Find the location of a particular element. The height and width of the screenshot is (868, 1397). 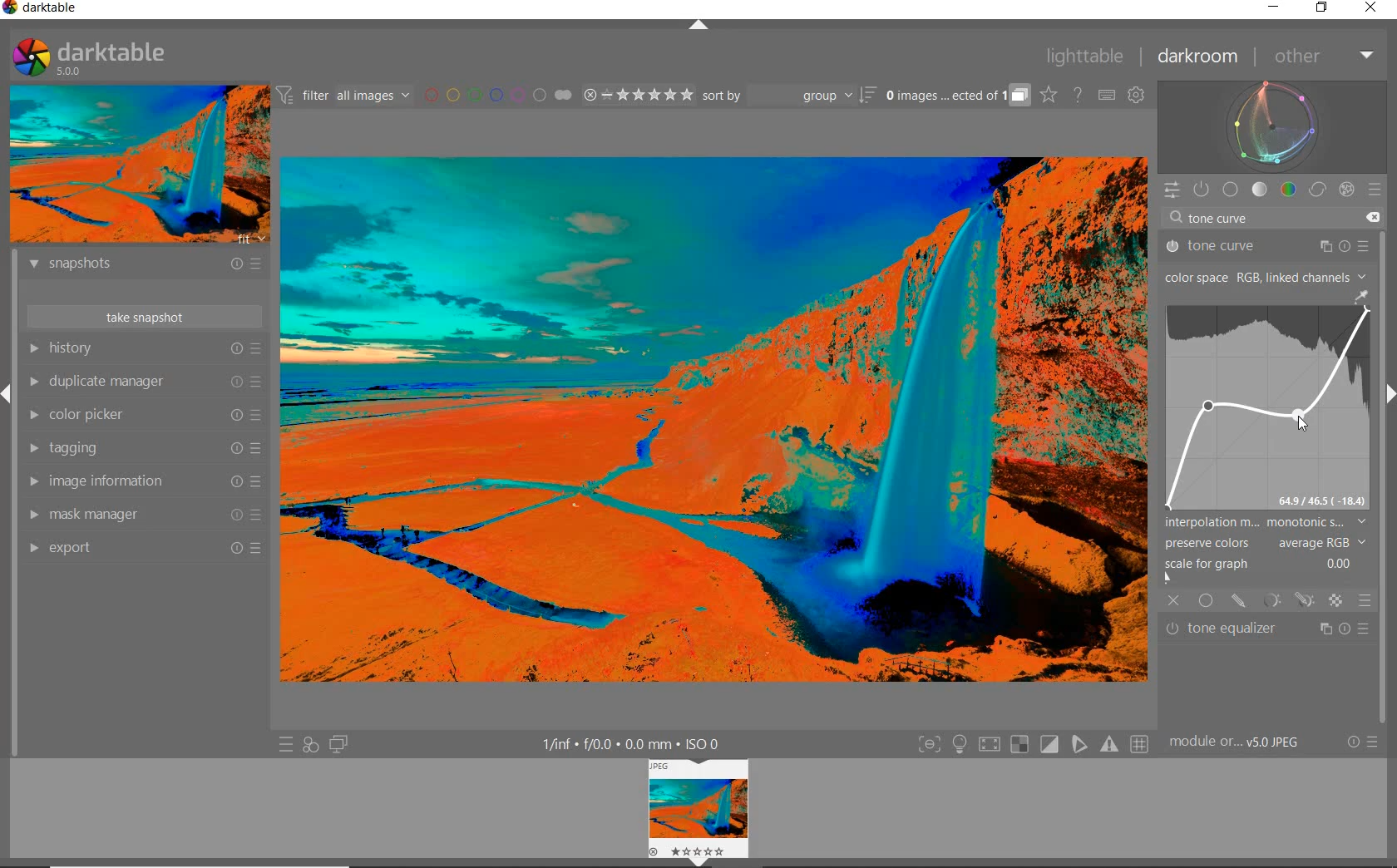

sort by is located at coordinates (789, 95).